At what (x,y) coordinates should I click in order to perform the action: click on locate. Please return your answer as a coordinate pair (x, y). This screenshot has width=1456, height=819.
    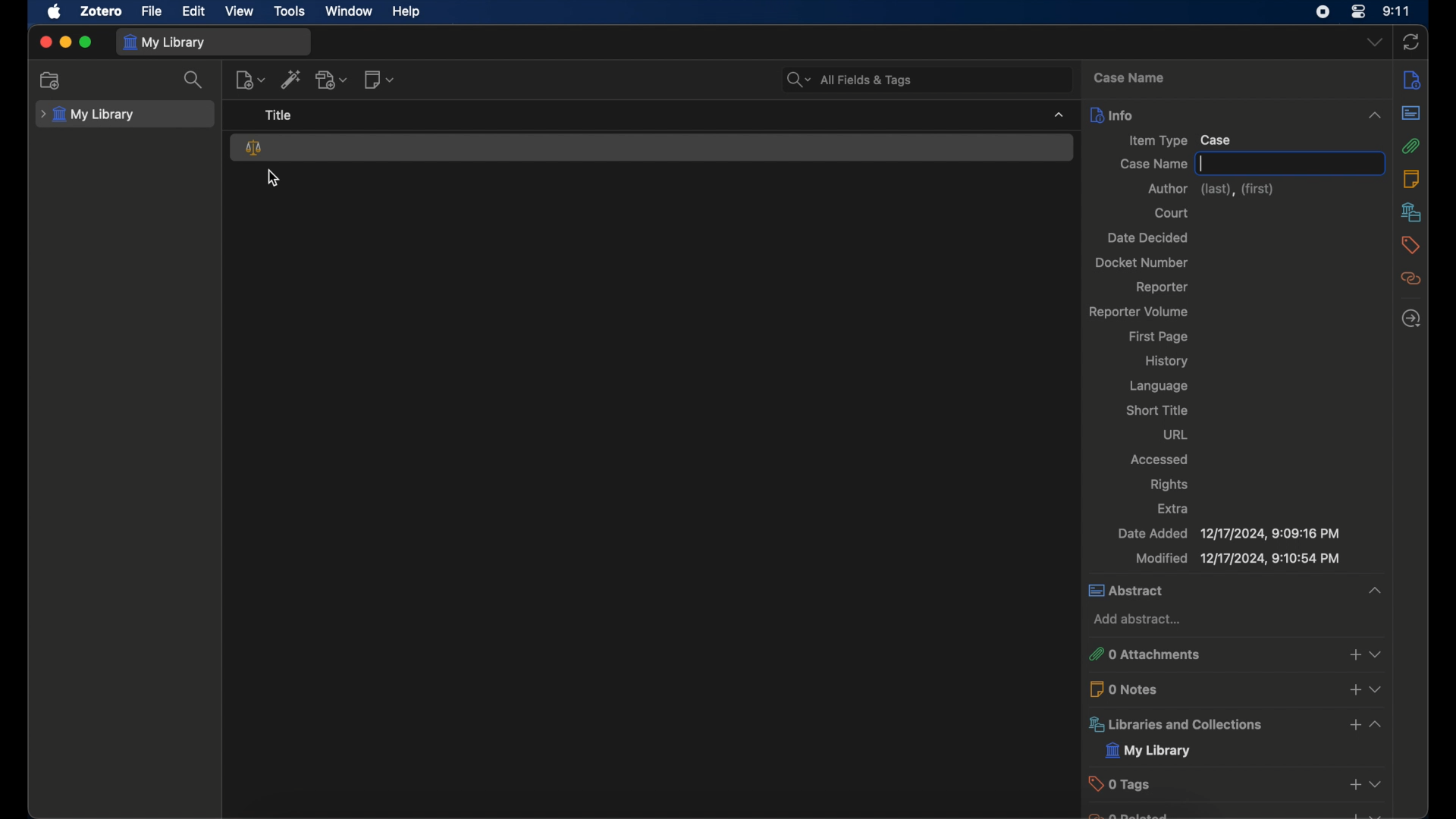
    Looking at the image, I should click on (1411, 318).